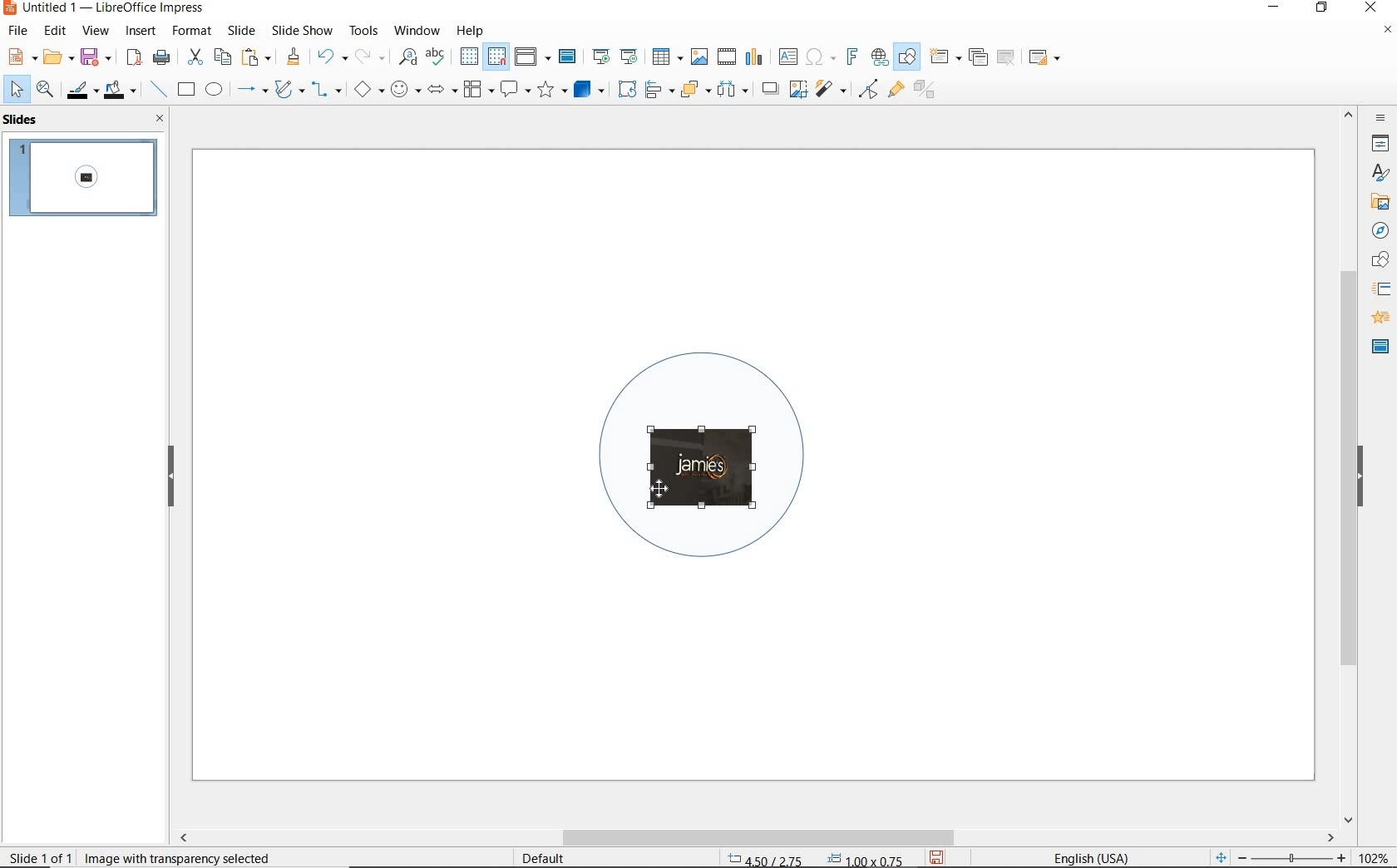 The height and width of the screenshot is (868, 1397). I want to click on image with transparency selected, so click(193, 856).